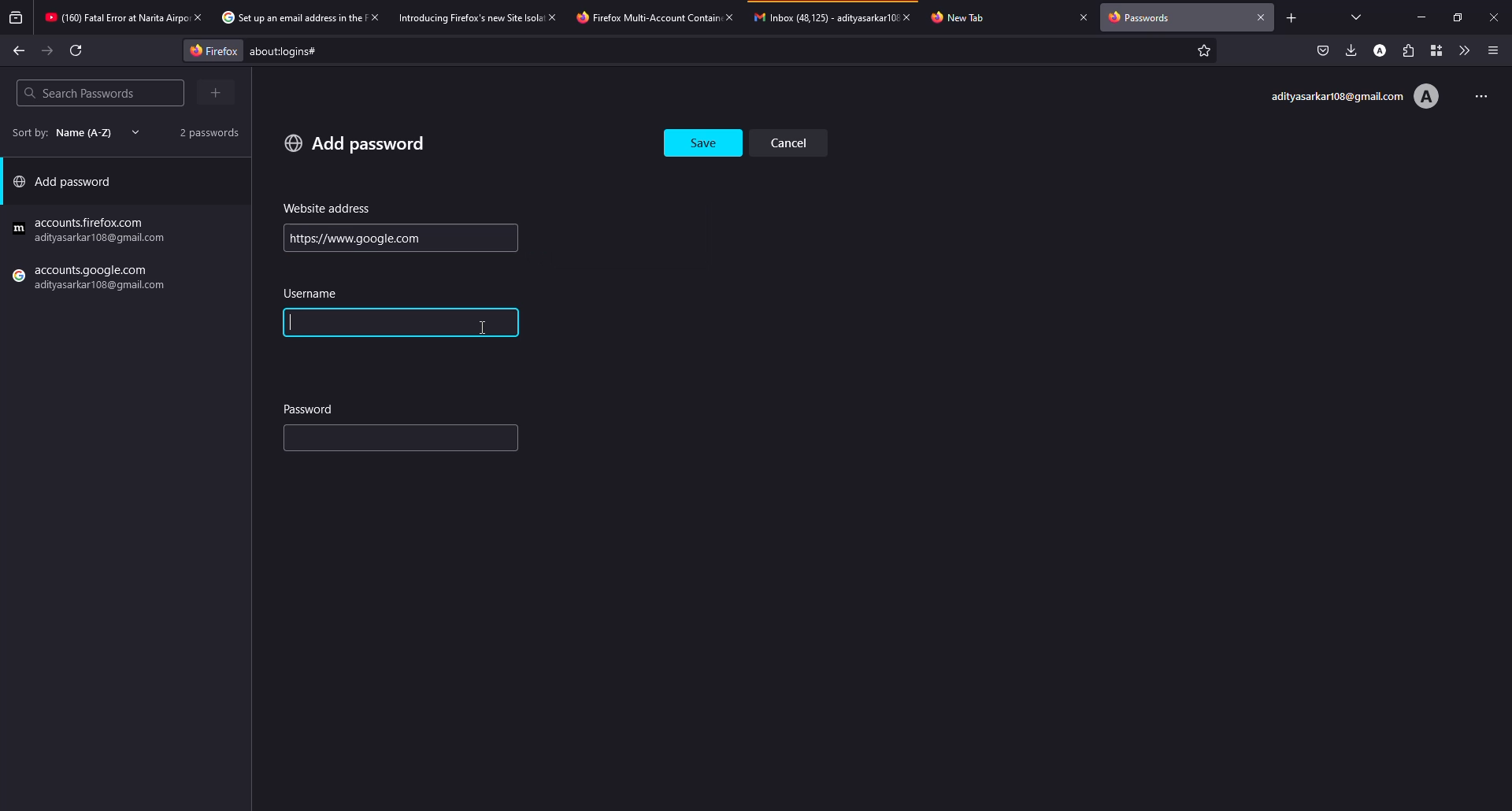  What do you see at coordinates (966, 17) in the screenshot?
I see `tab` at bounding box center [966, 17].